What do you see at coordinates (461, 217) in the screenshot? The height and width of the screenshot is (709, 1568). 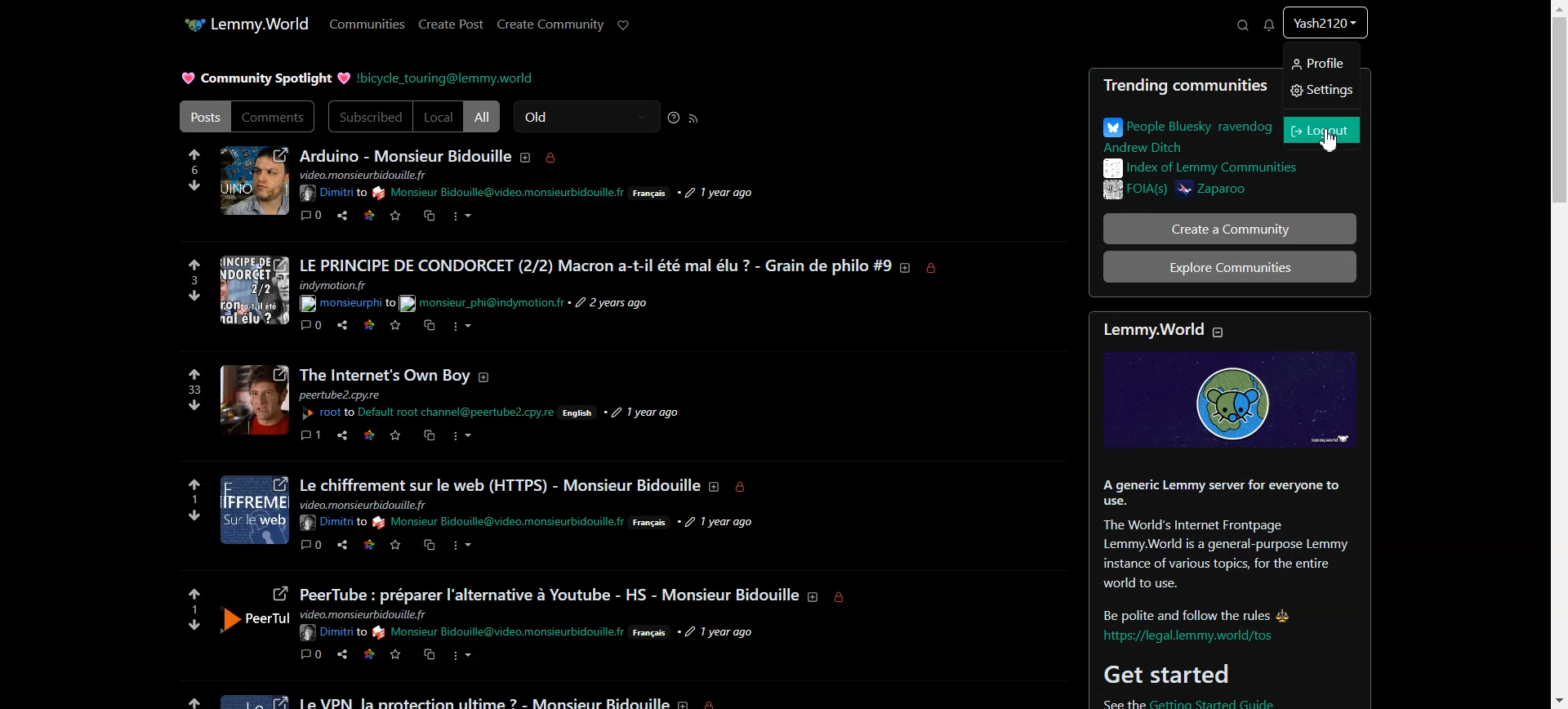 I see `More` at bounding box center [461, 217].